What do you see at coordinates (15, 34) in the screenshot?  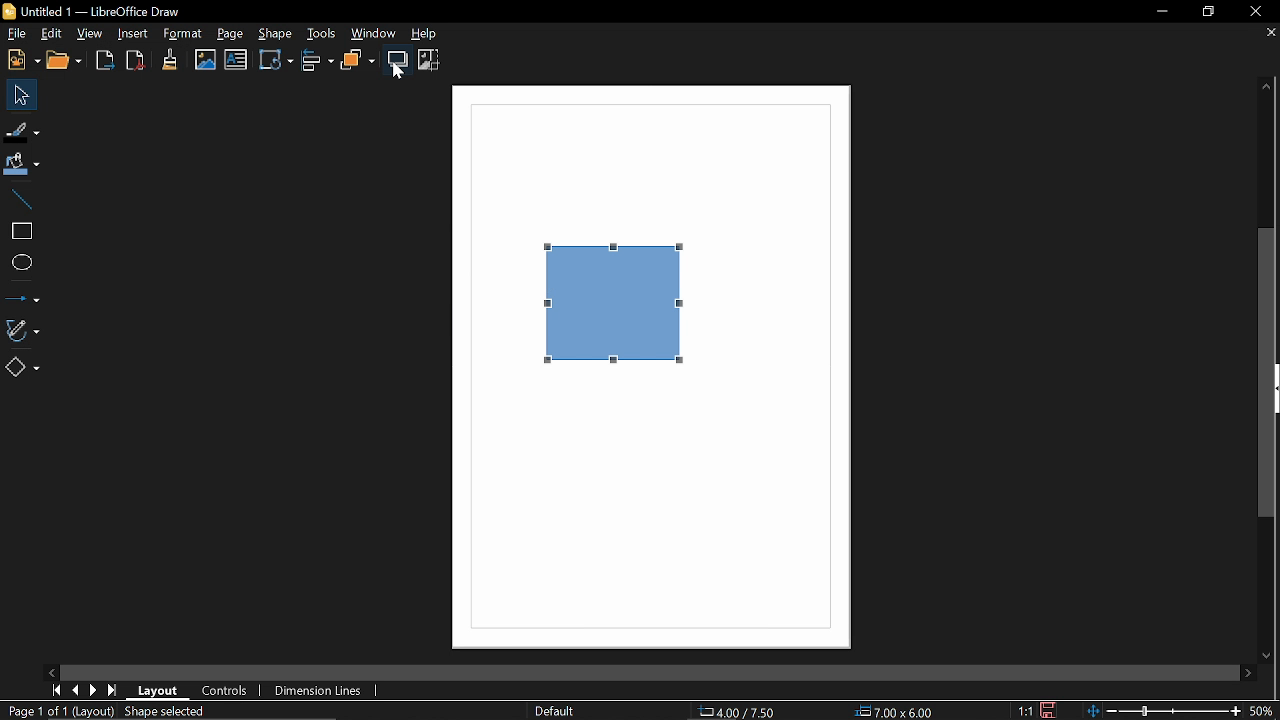 I see `File` at bounding box center [15, 34].